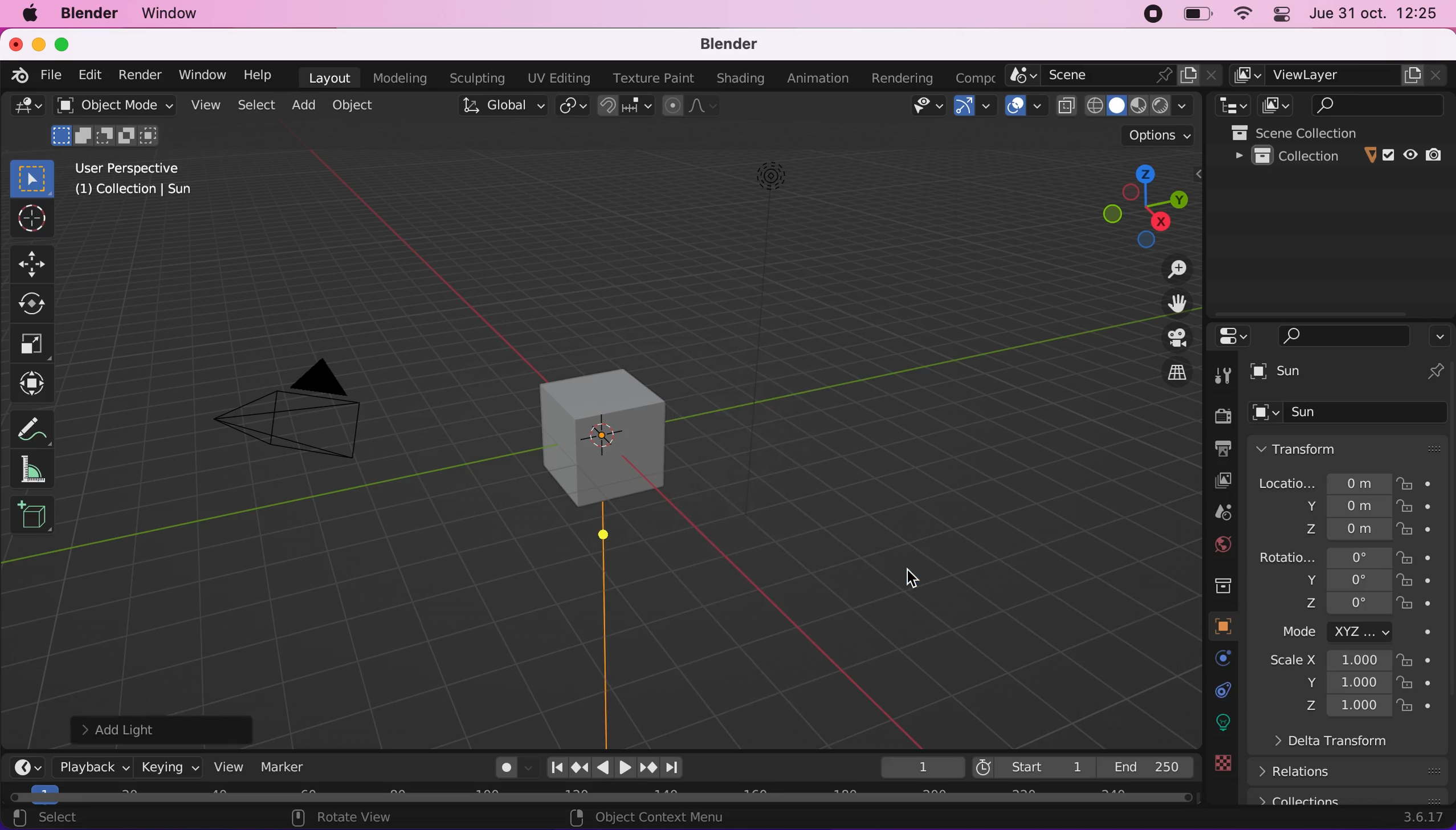 The image size is (1456, 830). I want to click on collections, so click(1351, 797).